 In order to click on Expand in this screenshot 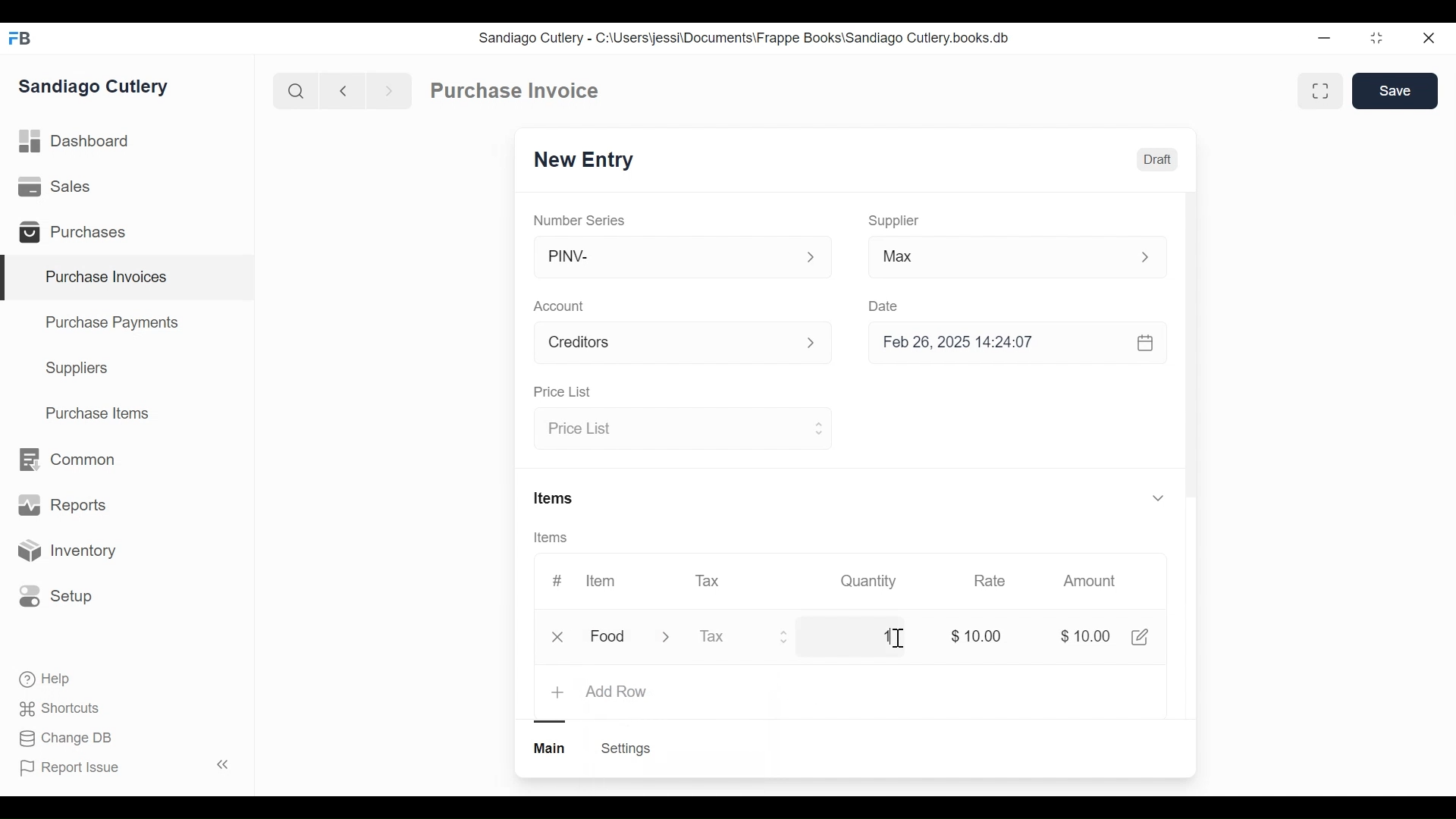, I will do `click(817, 427)`.